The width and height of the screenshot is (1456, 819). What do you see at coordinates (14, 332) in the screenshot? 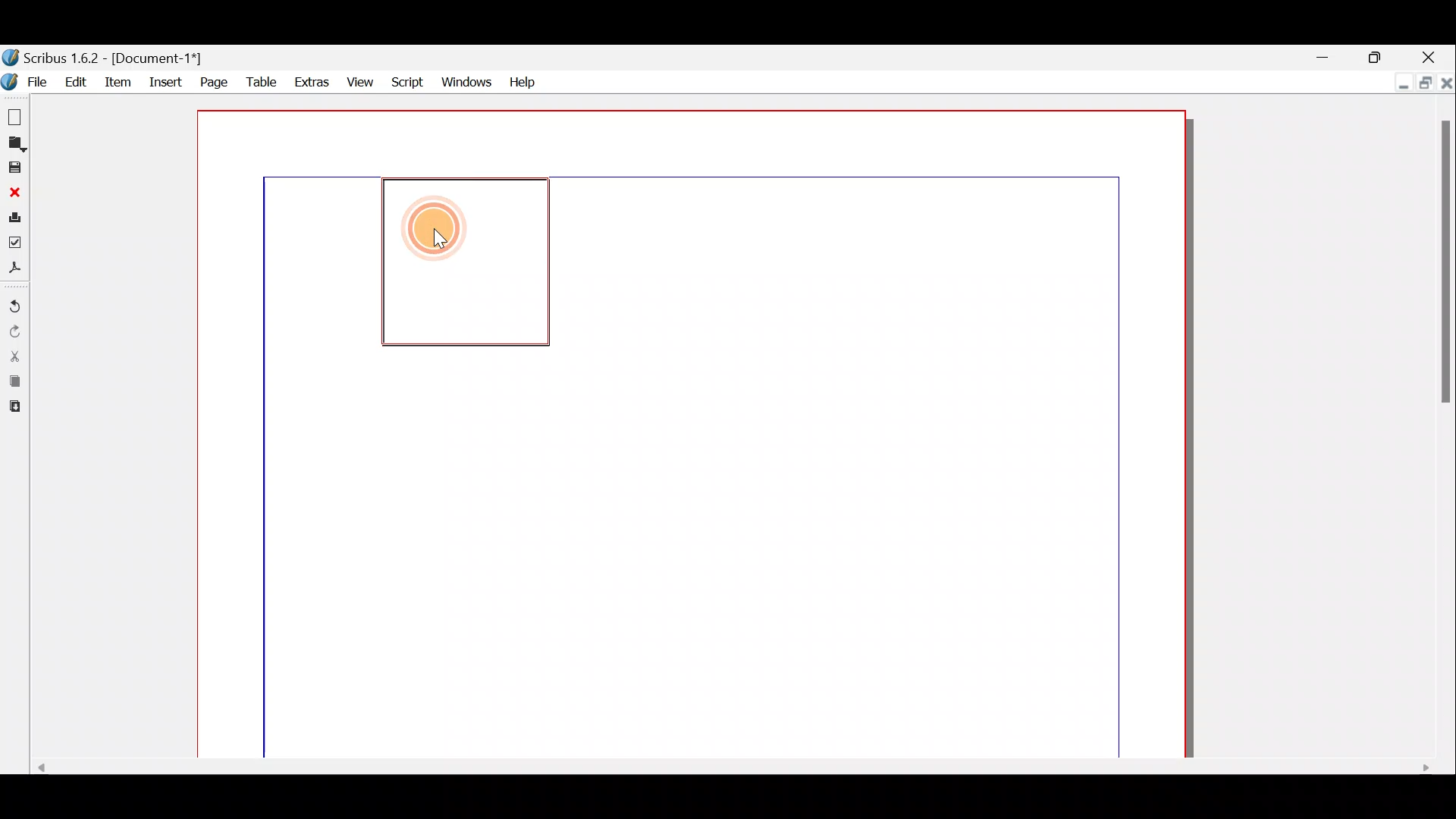
I see `Redo` at bounding box center [14, 332].